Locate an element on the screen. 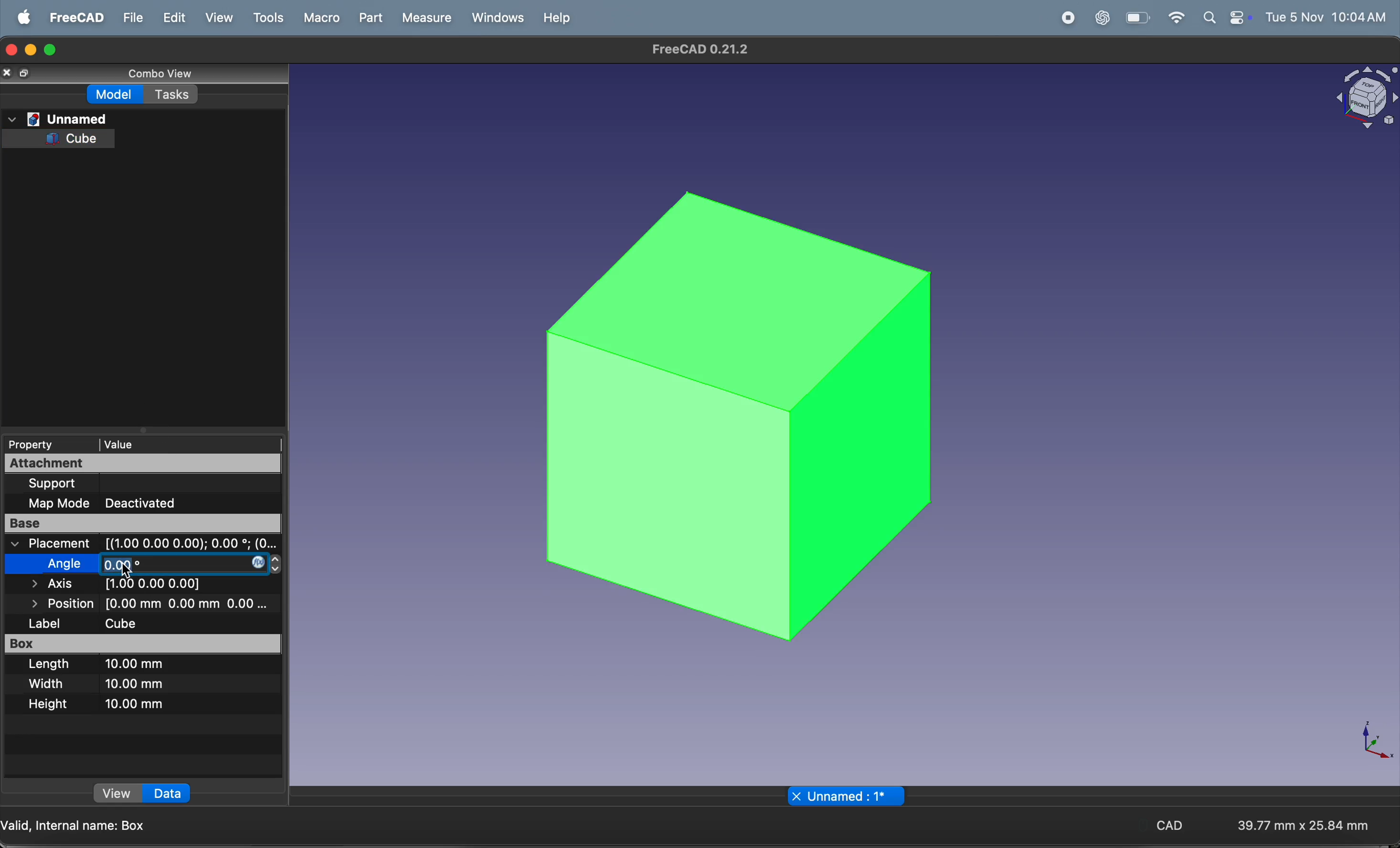  Model is located at coordinates (114, 94).